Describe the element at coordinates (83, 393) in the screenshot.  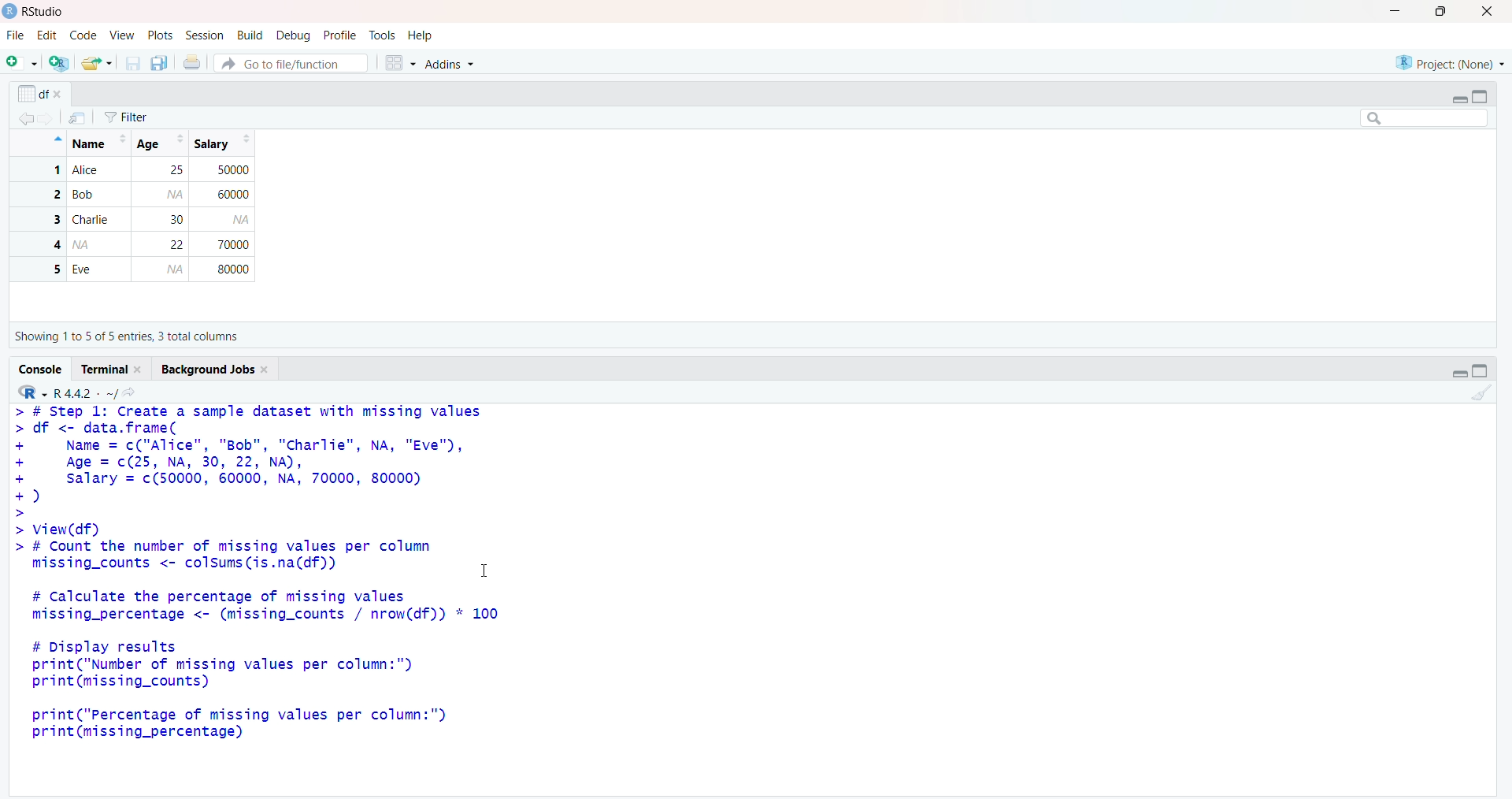
I see `R442 -~/` at that location.